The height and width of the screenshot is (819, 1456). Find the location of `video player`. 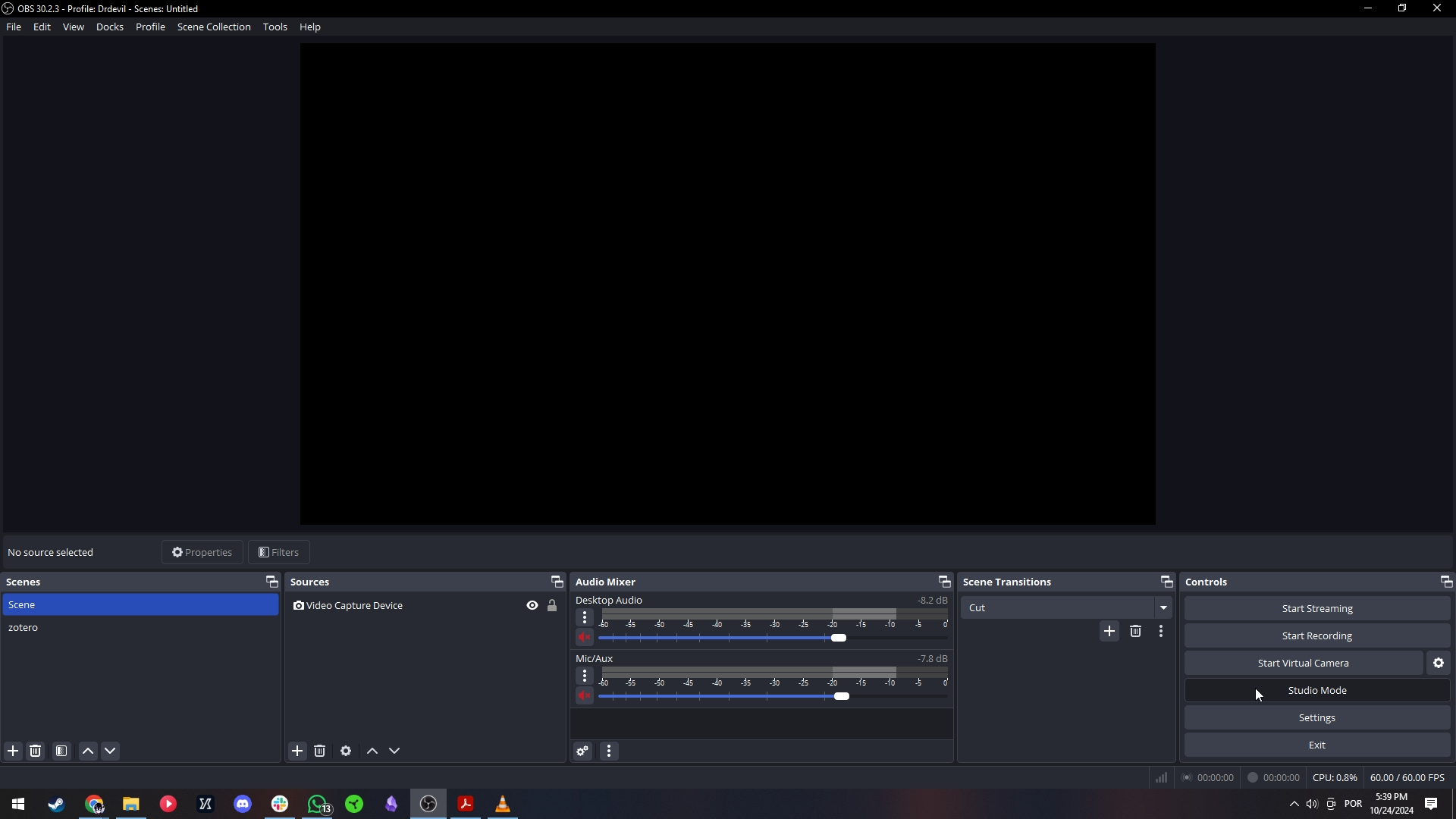

video player is located at coordinates (168, 802).